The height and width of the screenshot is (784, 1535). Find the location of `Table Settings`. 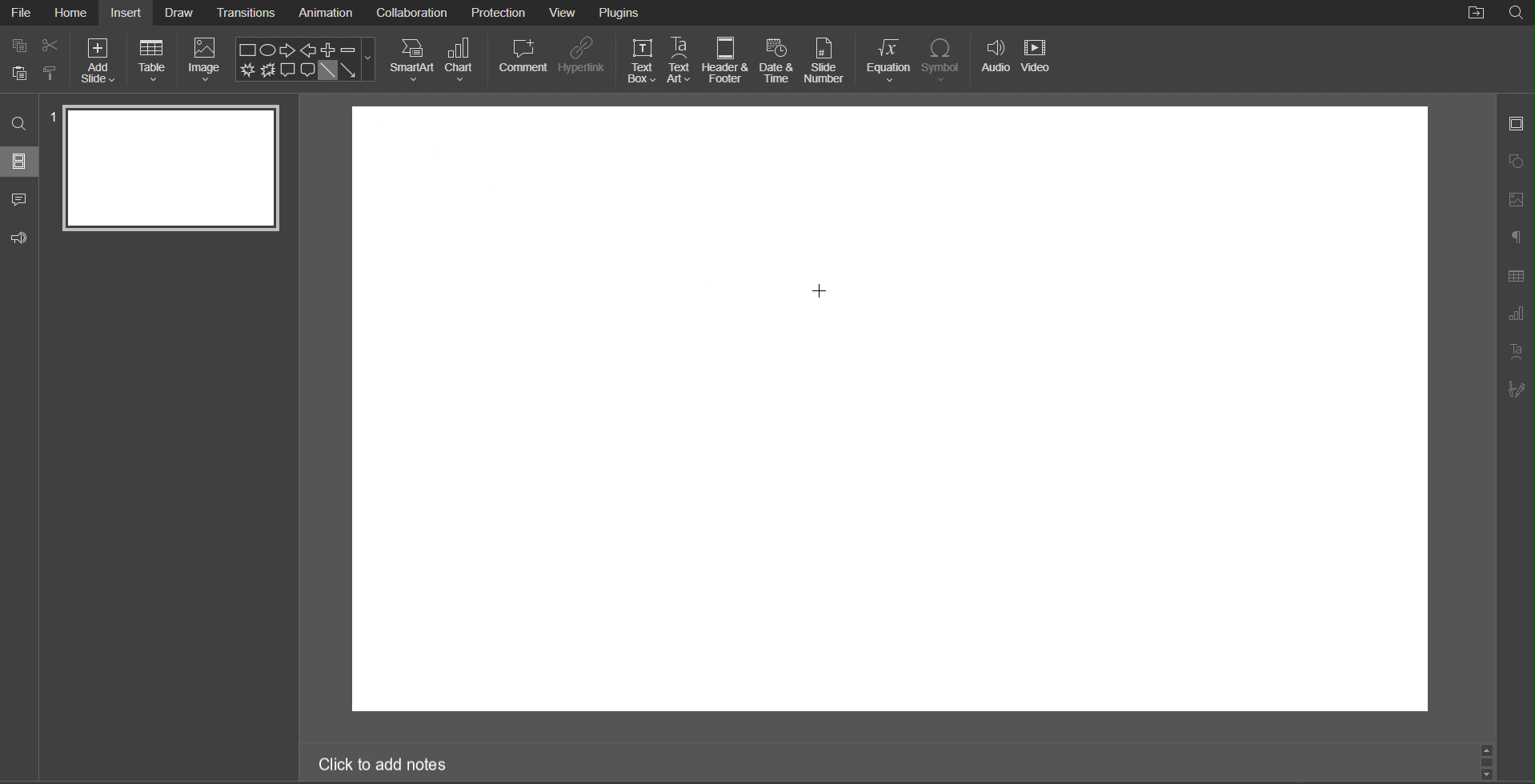

Table Settings is located at coordinates (1516, 275).